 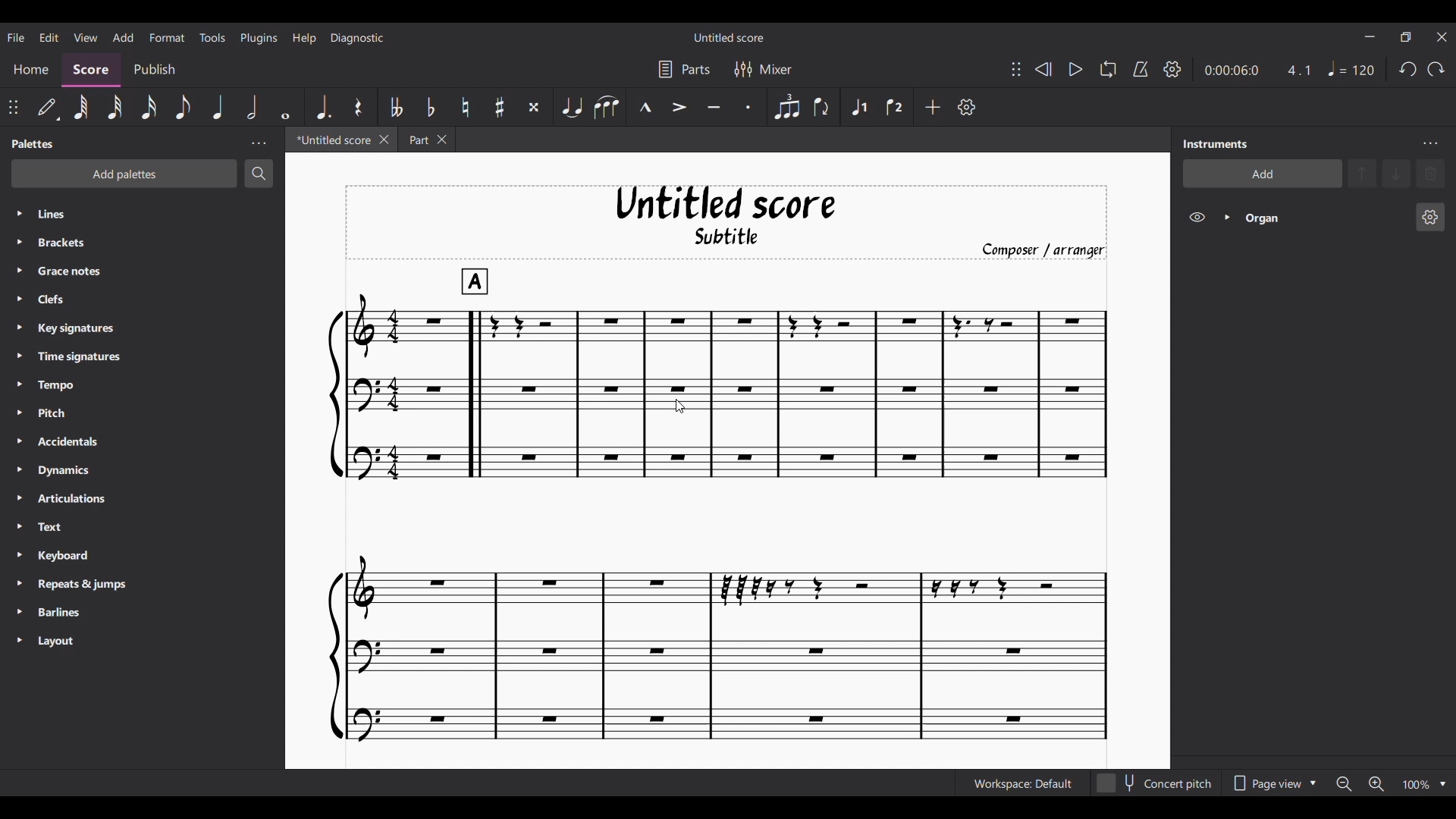 I want to click on 64th note, so click(x=81, y=108).